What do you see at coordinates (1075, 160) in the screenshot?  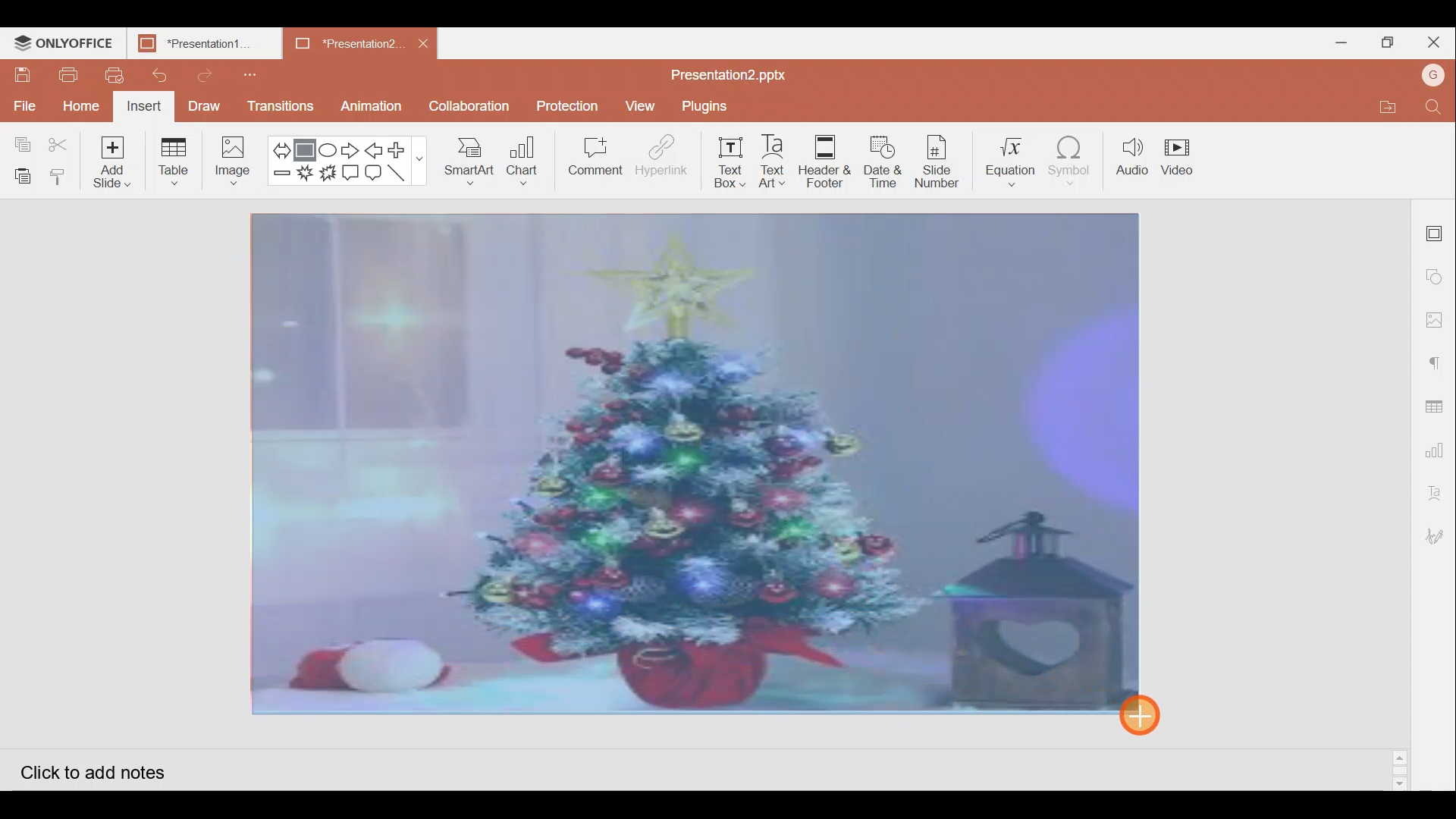 I see `Symbol` at bounding box center [1075, 160].